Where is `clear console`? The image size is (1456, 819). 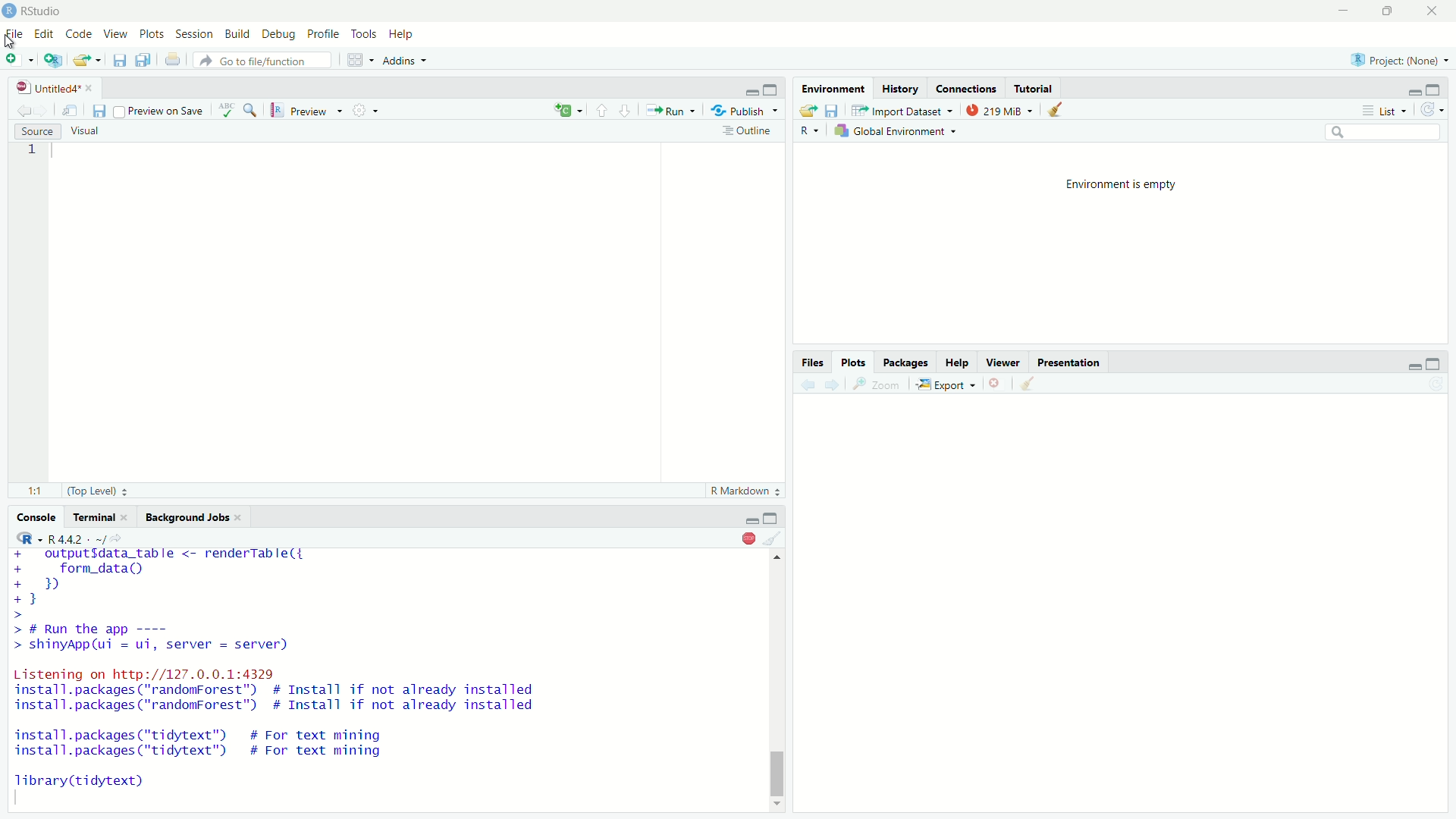 clear console is located at coordinates (774, 537).